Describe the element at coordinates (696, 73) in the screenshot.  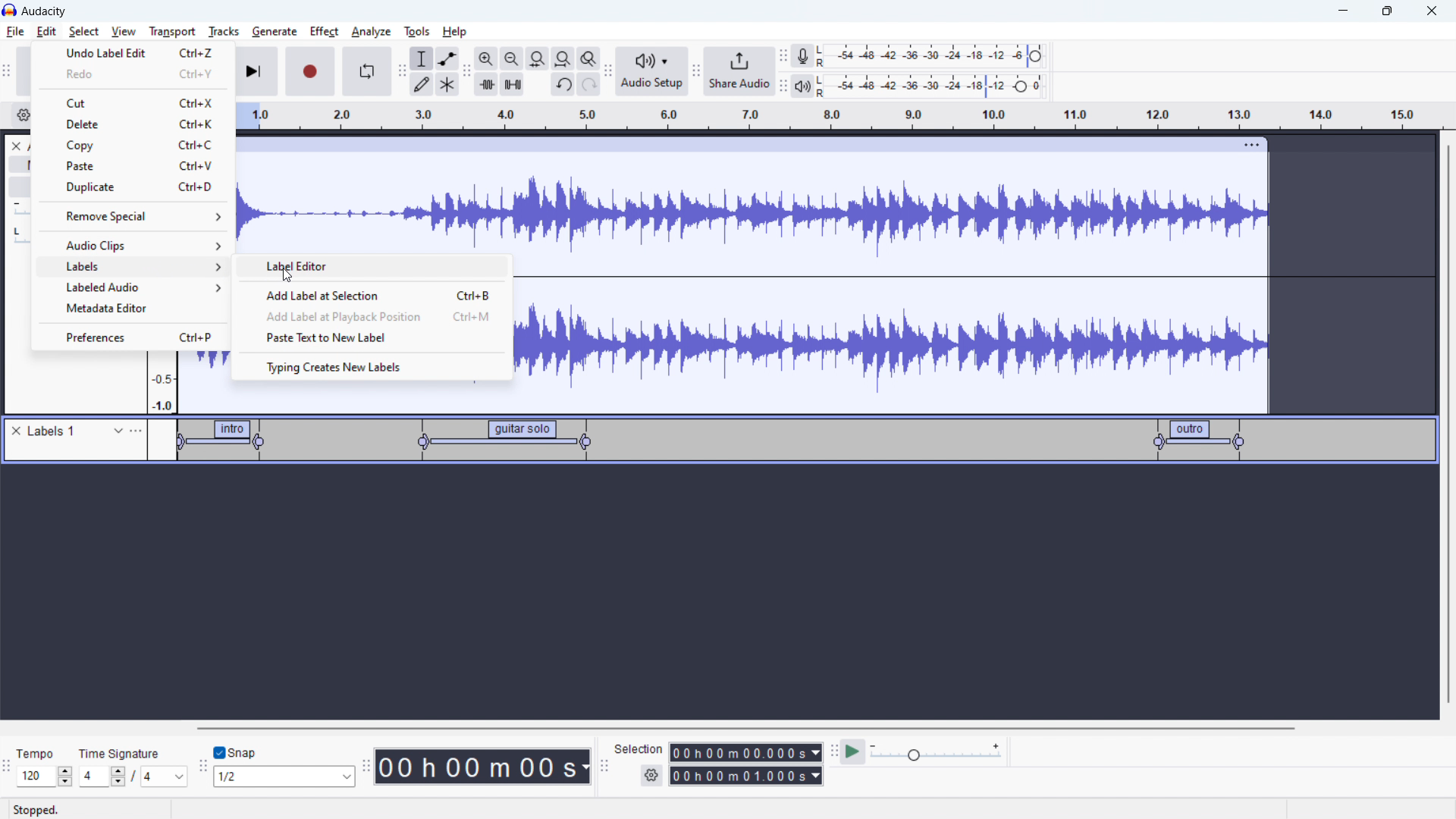
I see `share audio toolbar` at that location.